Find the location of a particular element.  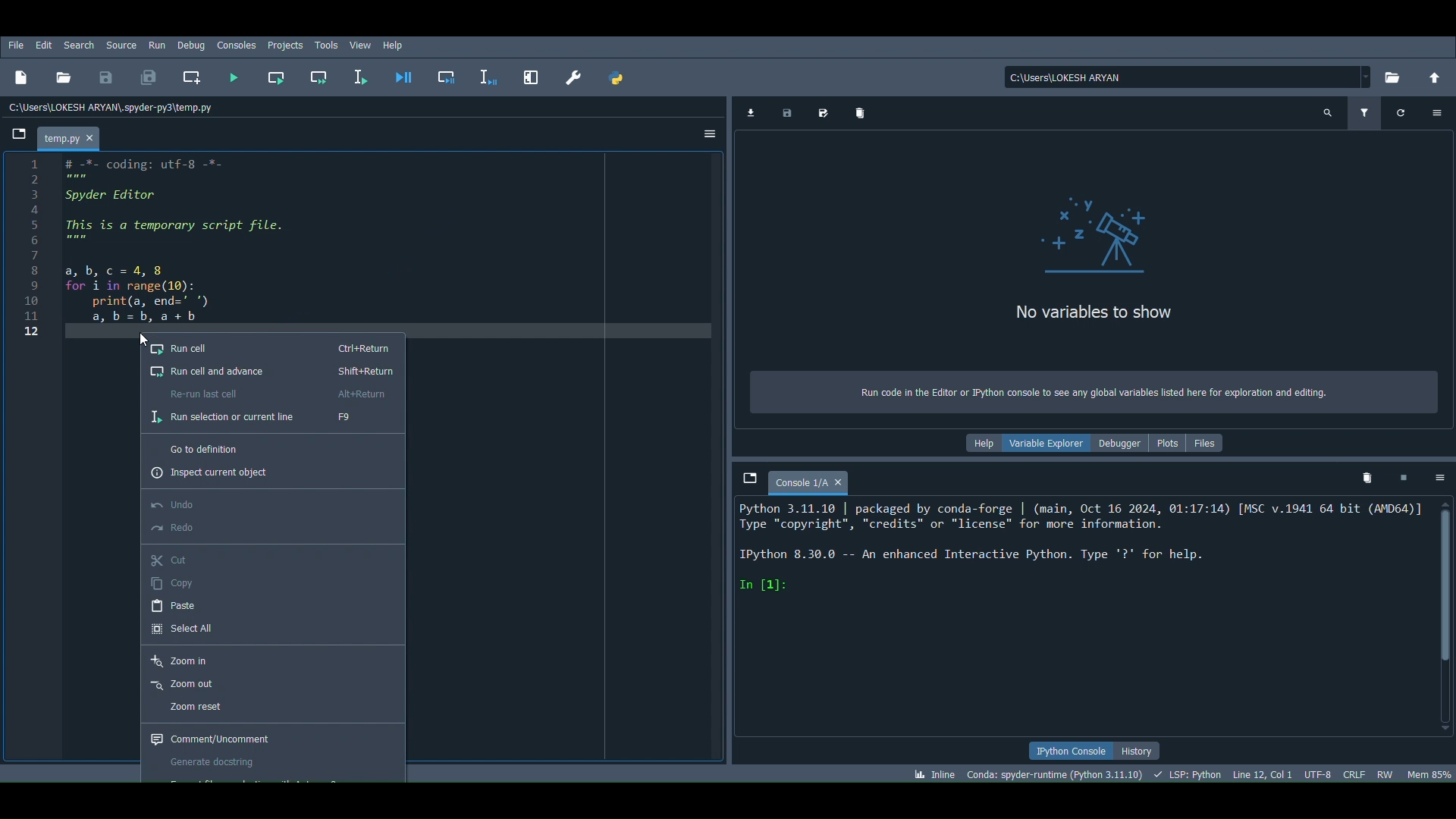

Browse tabs is located at coordinates (18, 133).